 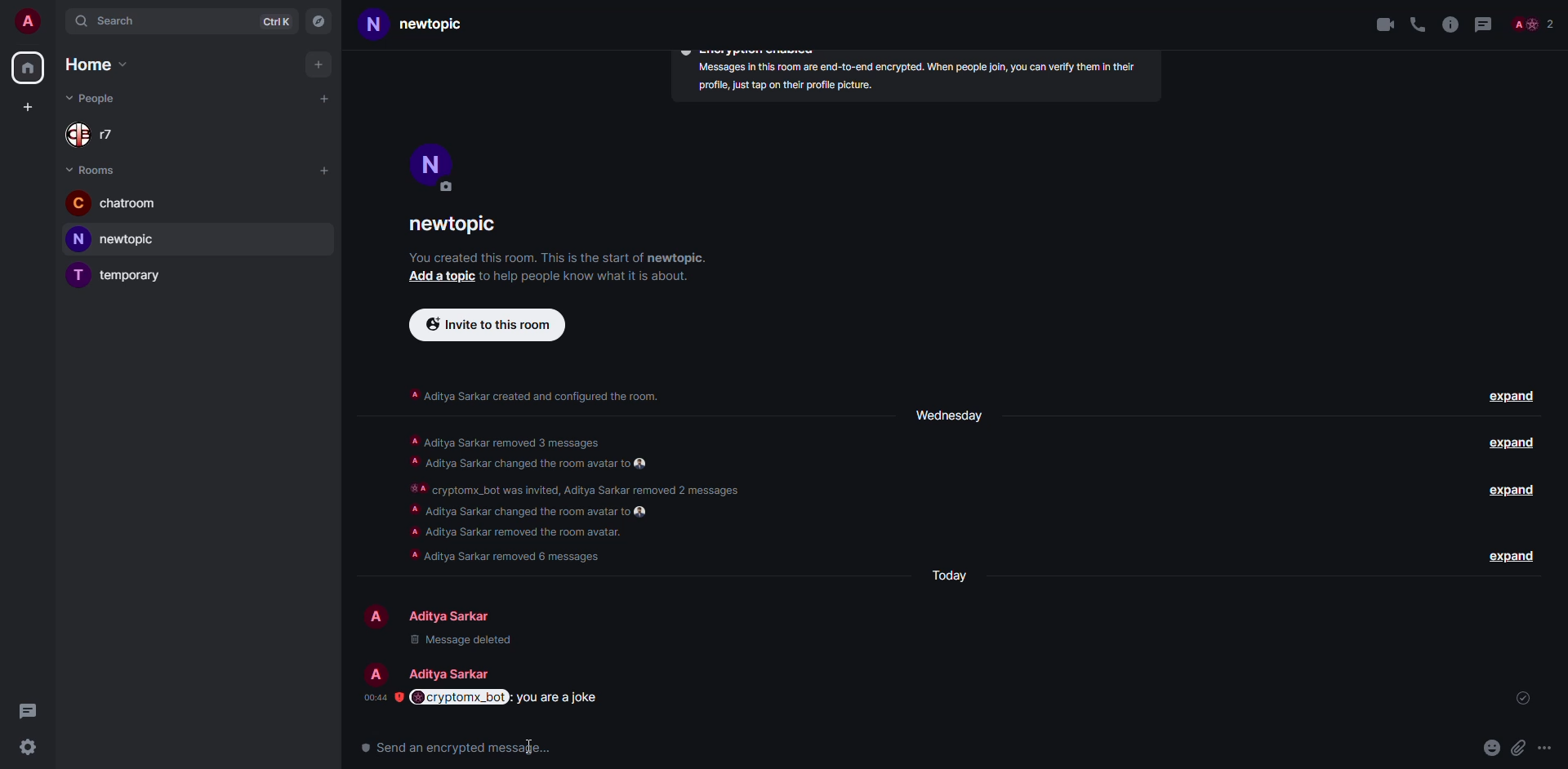 I want to click on info, so click(x=1450, y=24).